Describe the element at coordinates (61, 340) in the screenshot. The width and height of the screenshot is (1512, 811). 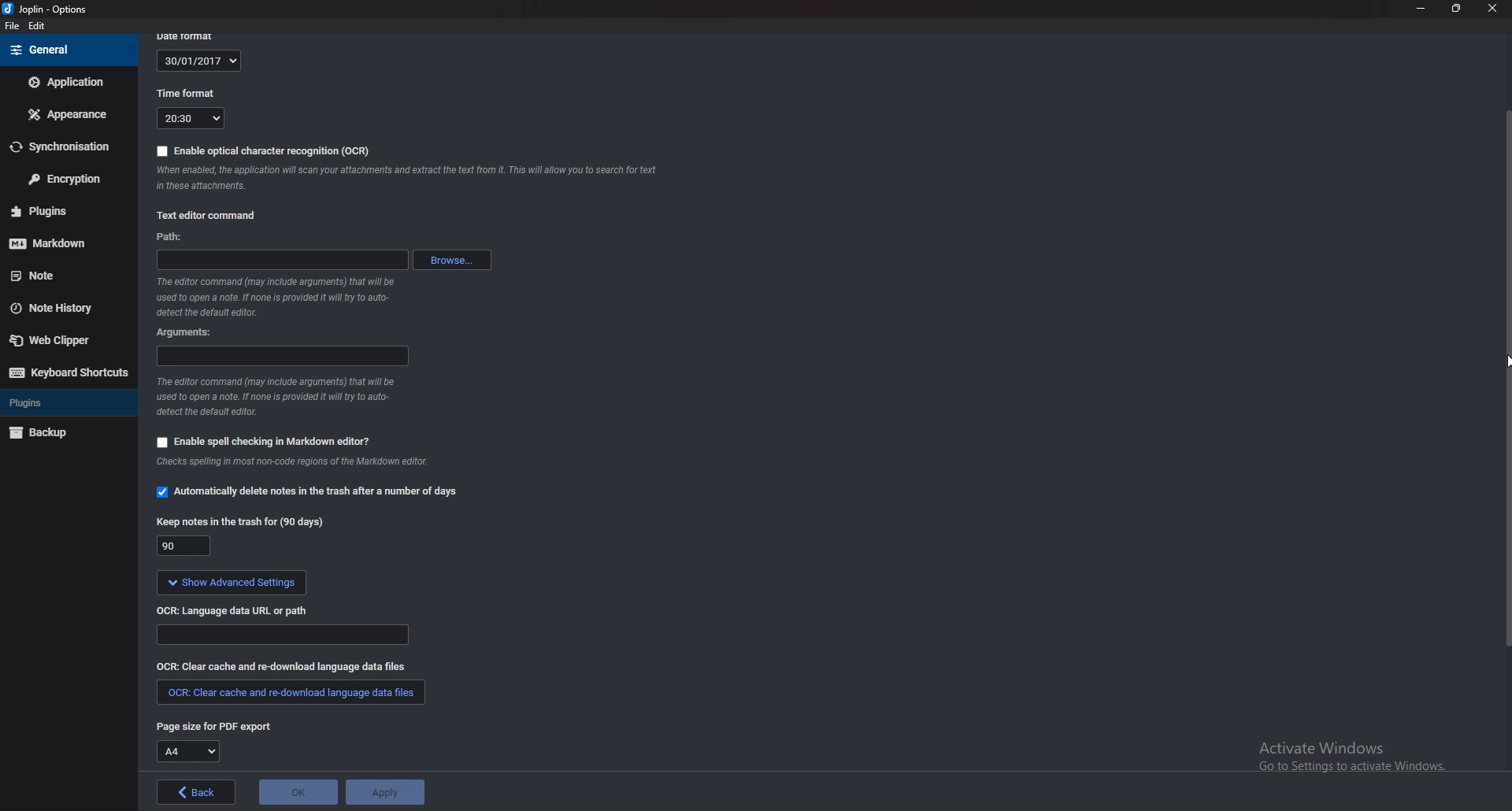
I see `Web clipper` at that location.